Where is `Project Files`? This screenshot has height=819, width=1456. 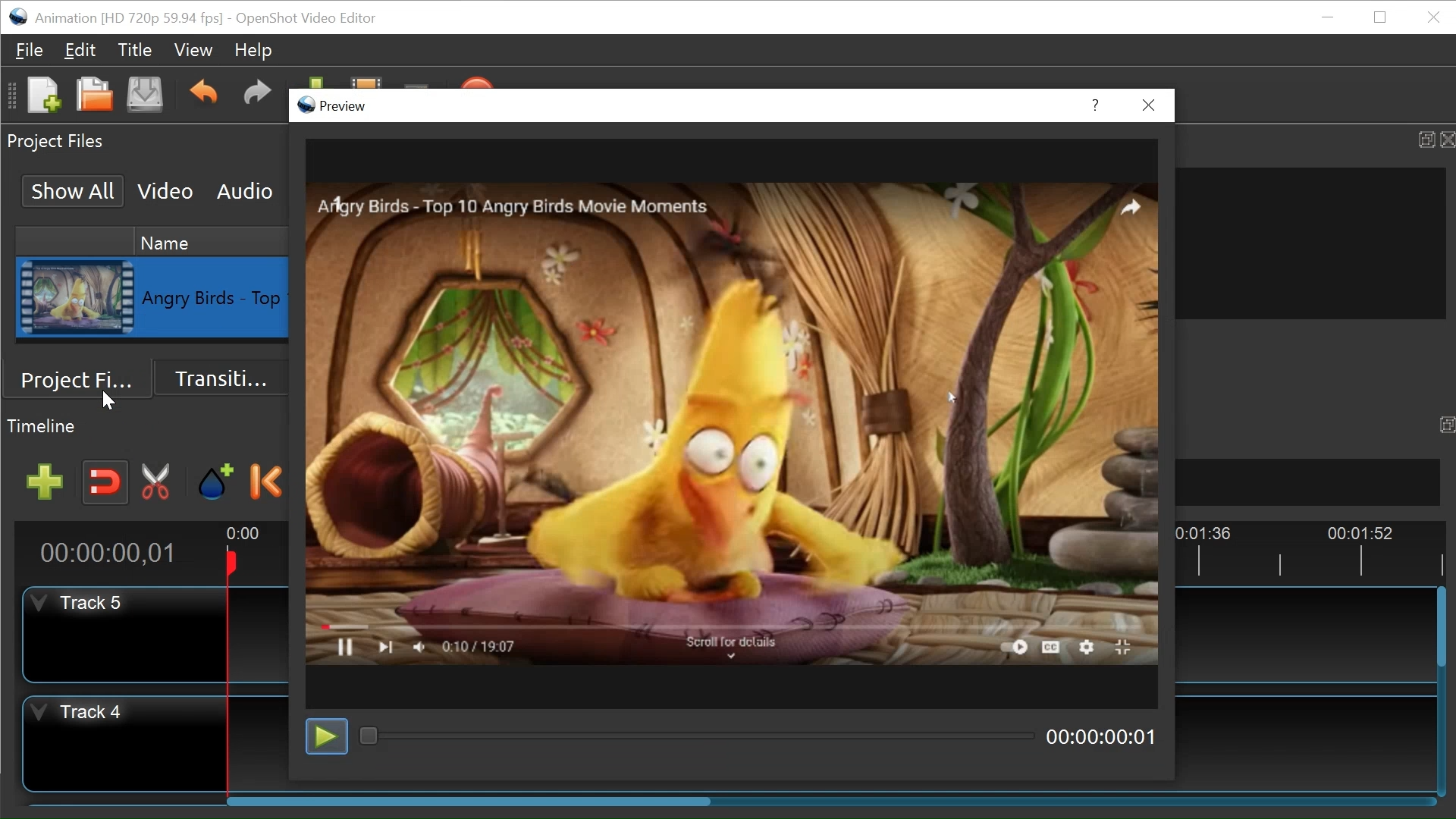 Project Files is located at coordinates (80, 380).